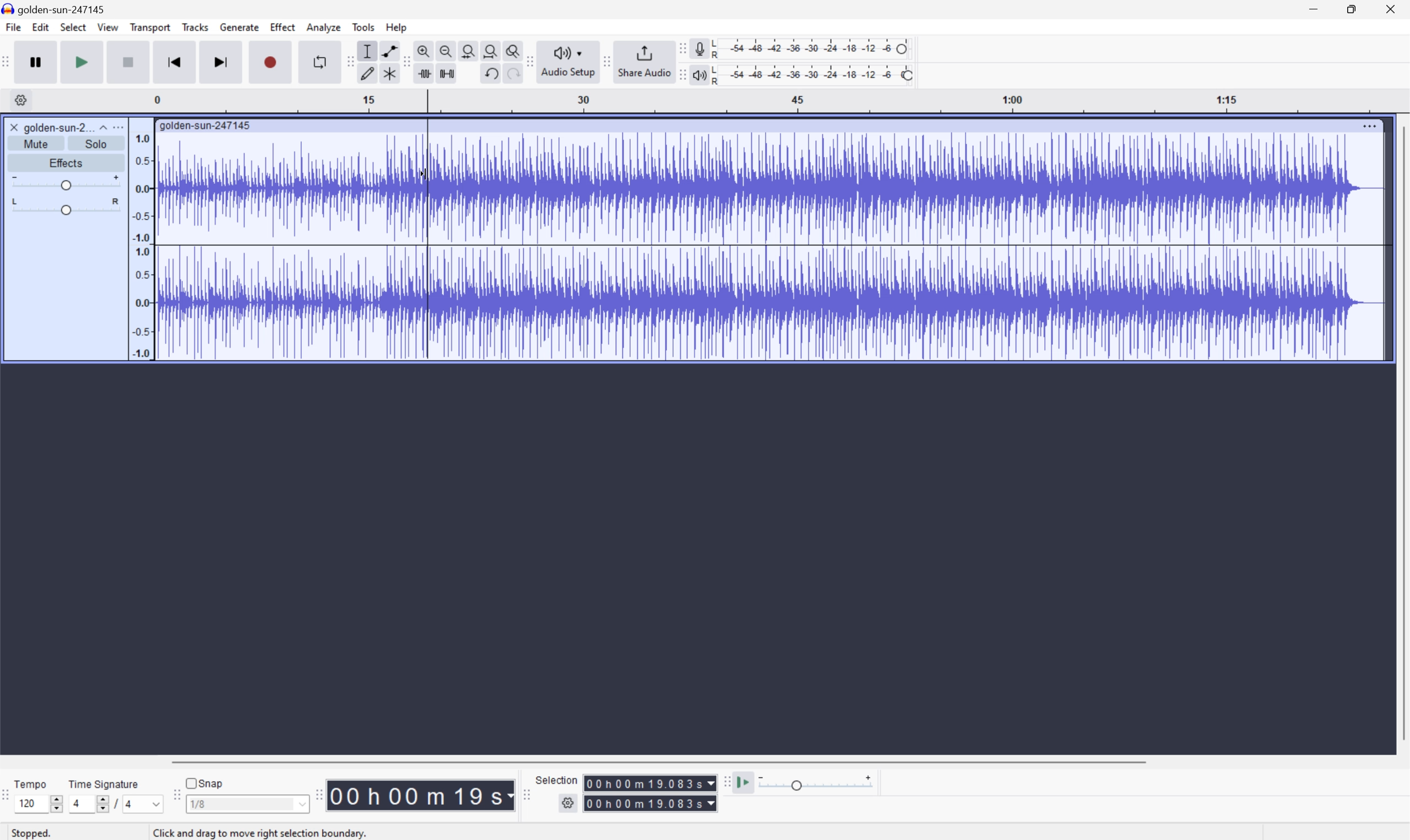  I want to click on Skip to end, so click(222, 62).